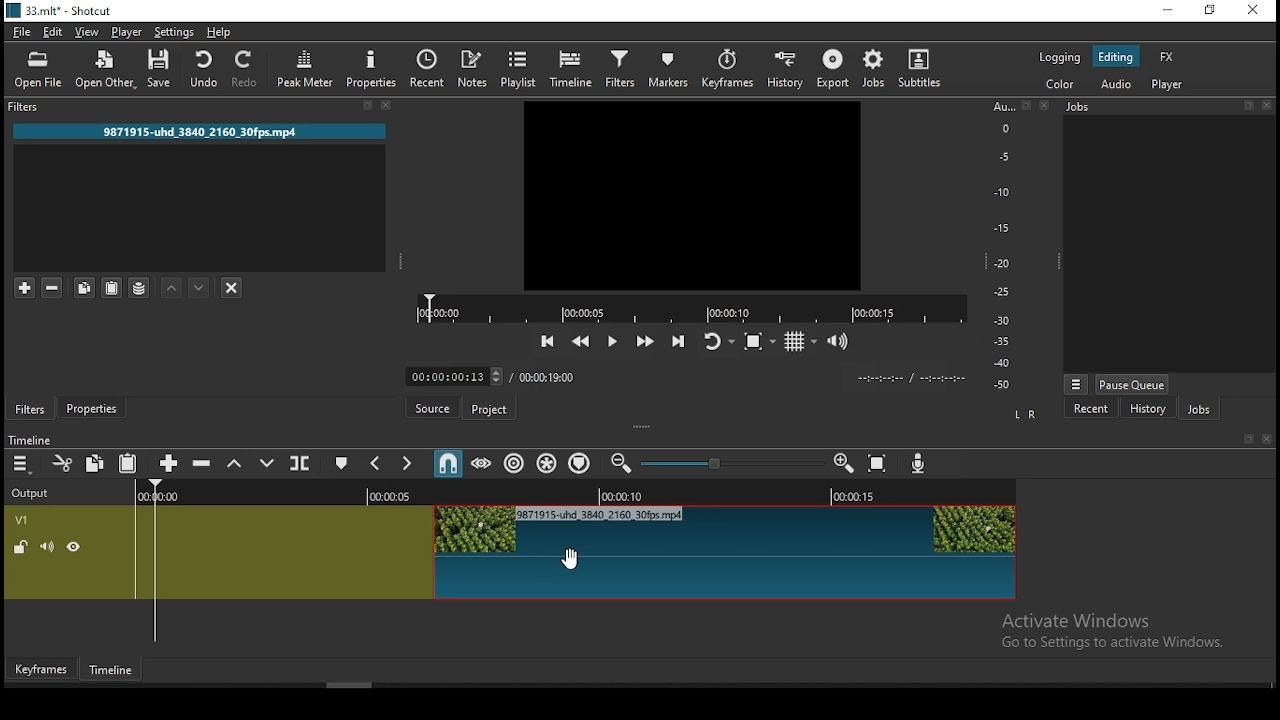 The height and width of the screenshot is (720, 1280). I want to click on paste filter, so click(110, 289).